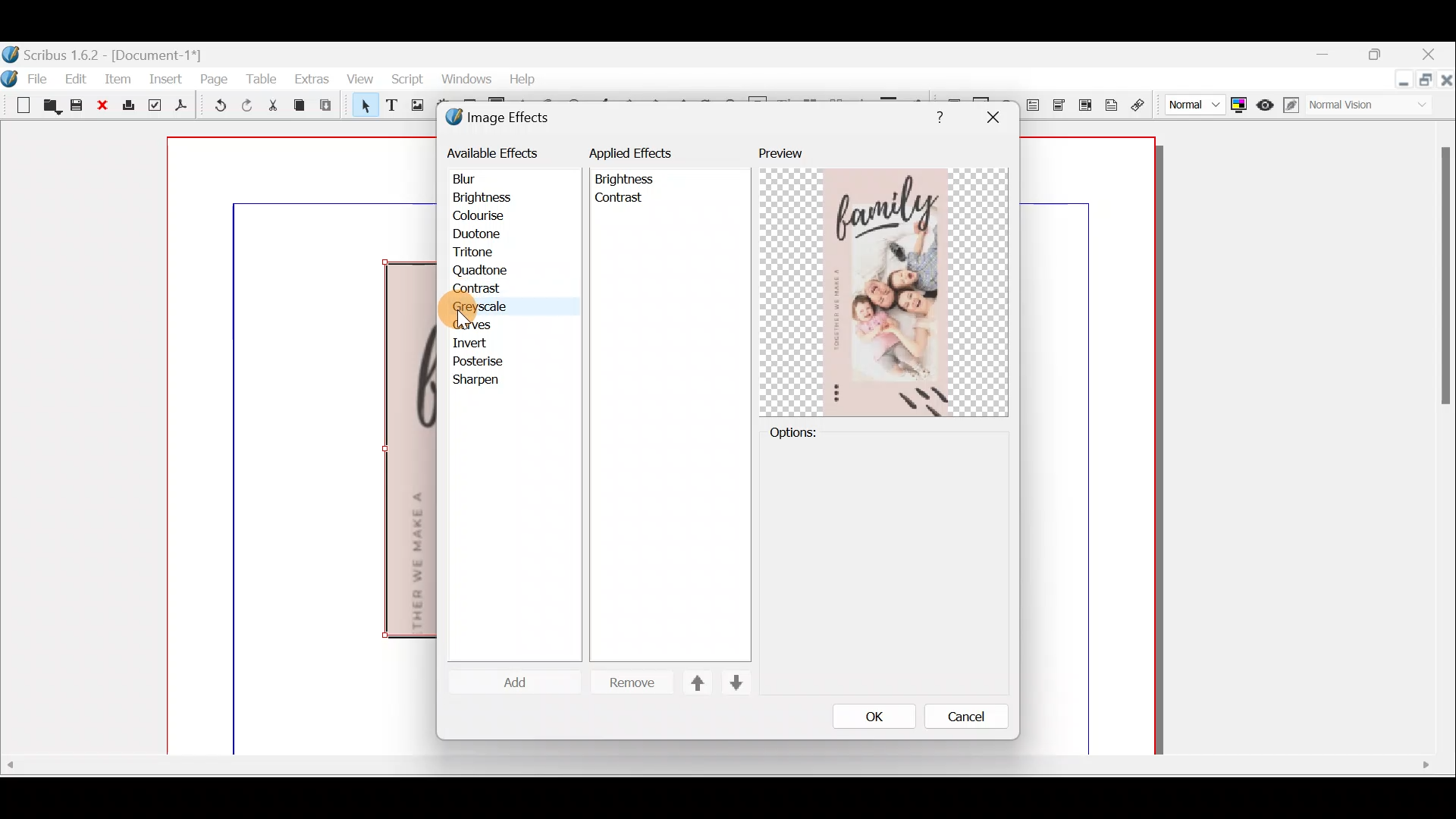  What do you see at coordinates (130, 109) in the screenshot?
I see `Print` at bounding box center [130, 109].